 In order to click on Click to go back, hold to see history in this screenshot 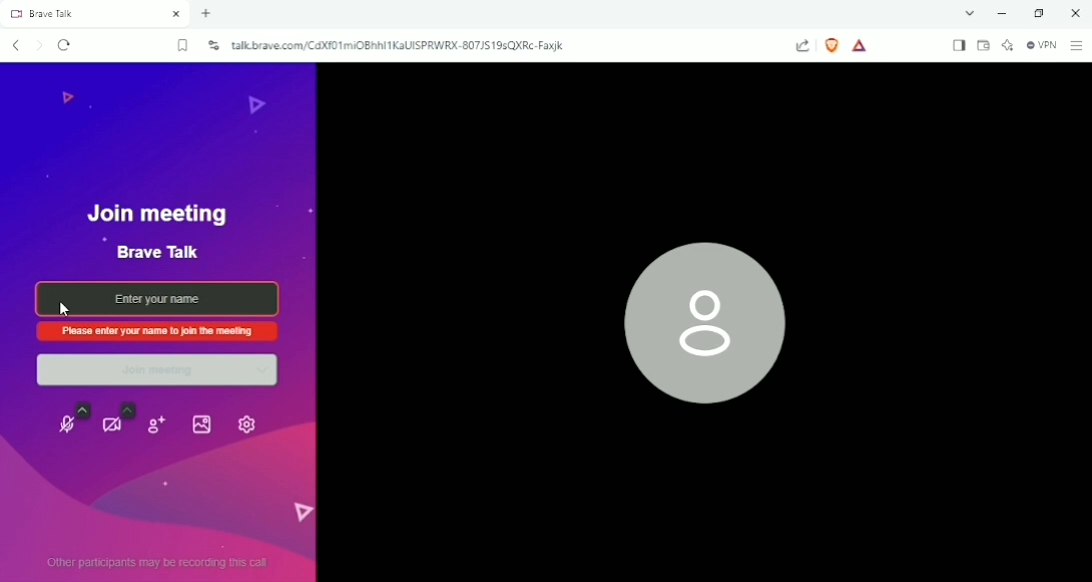, I will do `click(14, 46)`.